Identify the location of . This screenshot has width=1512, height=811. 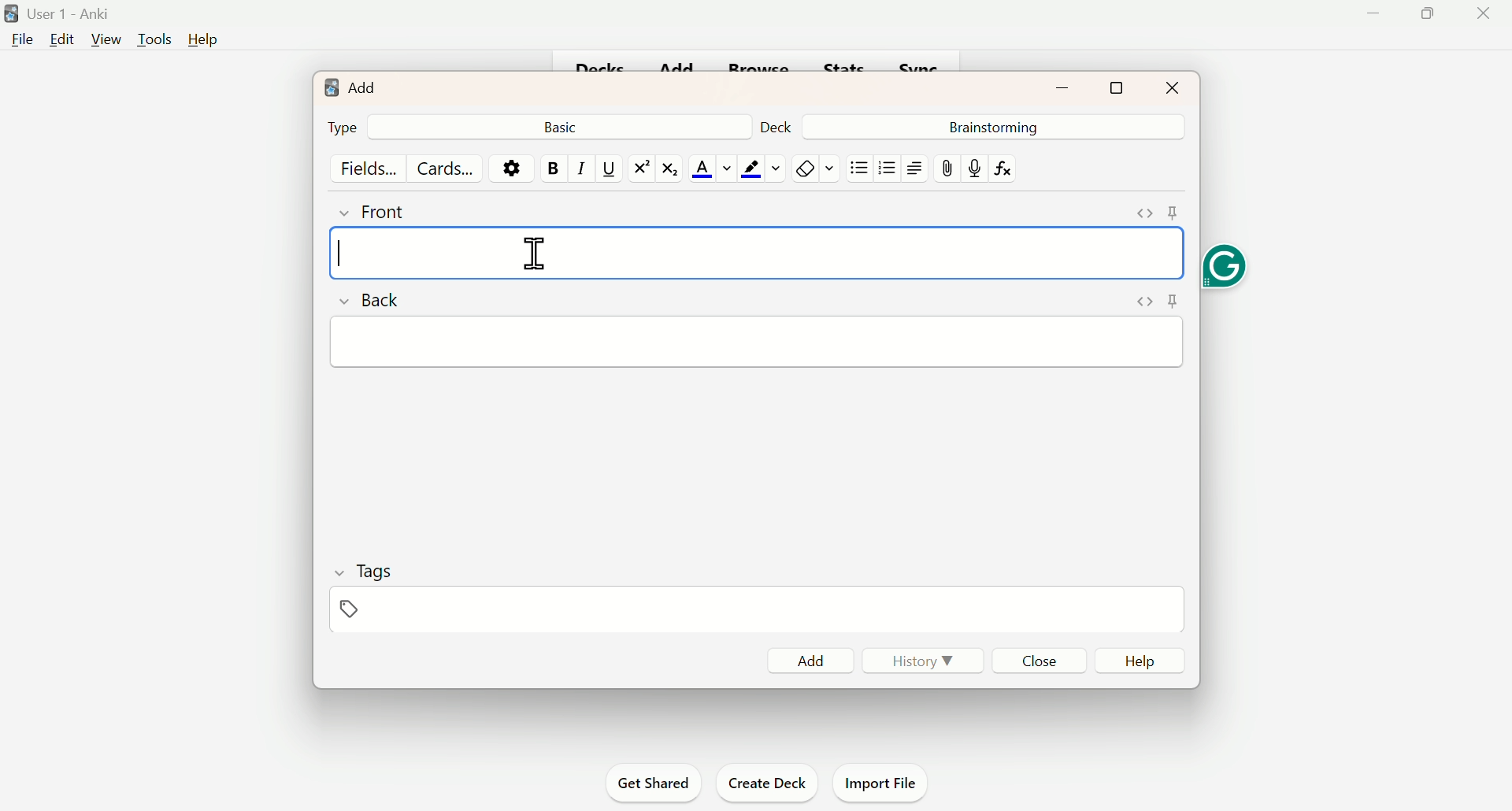
(105, 36).